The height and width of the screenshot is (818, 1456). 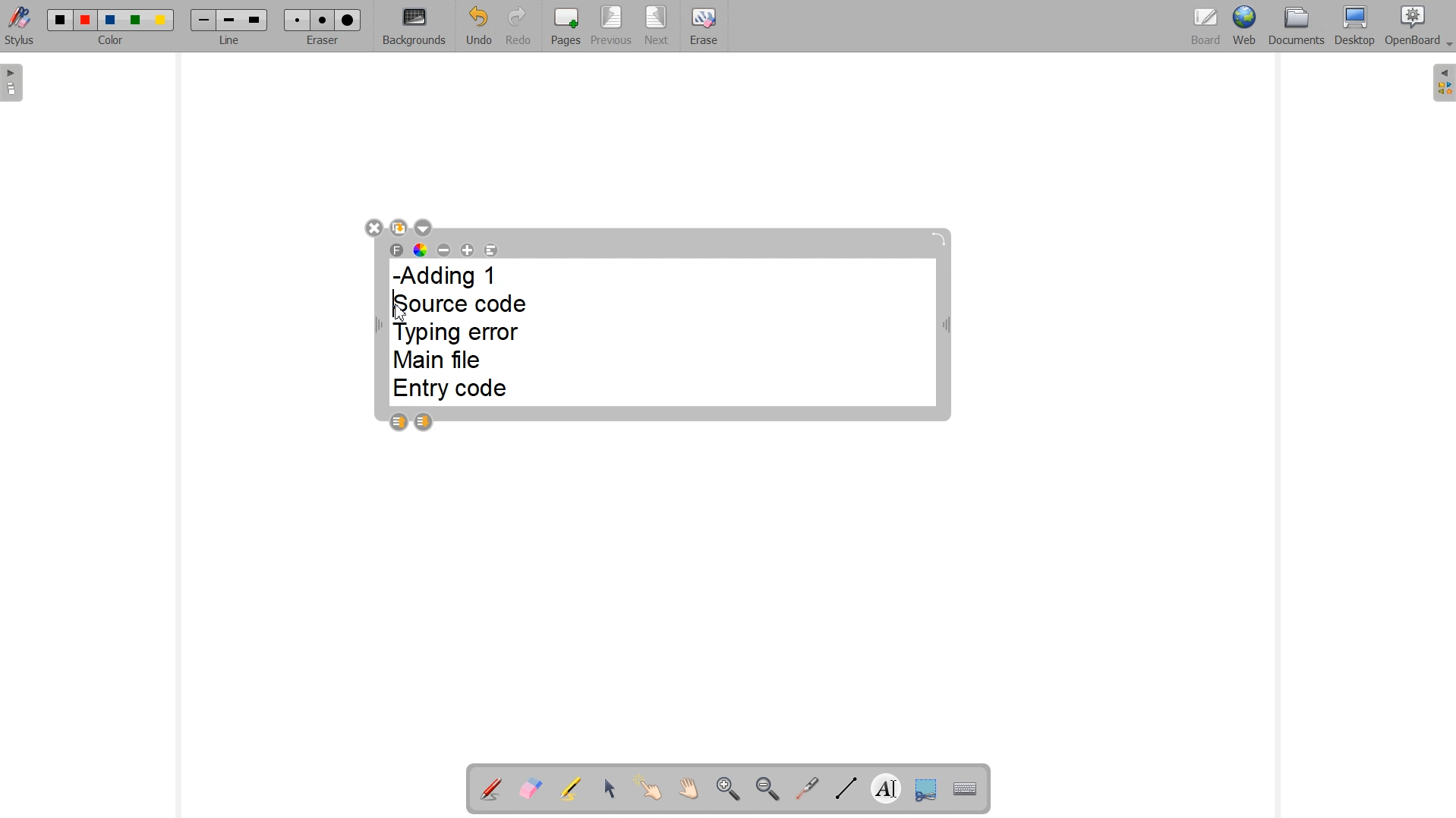 What do you see at coordinates (425, 228) in the screenshot?
I see `Drop down box` at bounding box center [425, 228].